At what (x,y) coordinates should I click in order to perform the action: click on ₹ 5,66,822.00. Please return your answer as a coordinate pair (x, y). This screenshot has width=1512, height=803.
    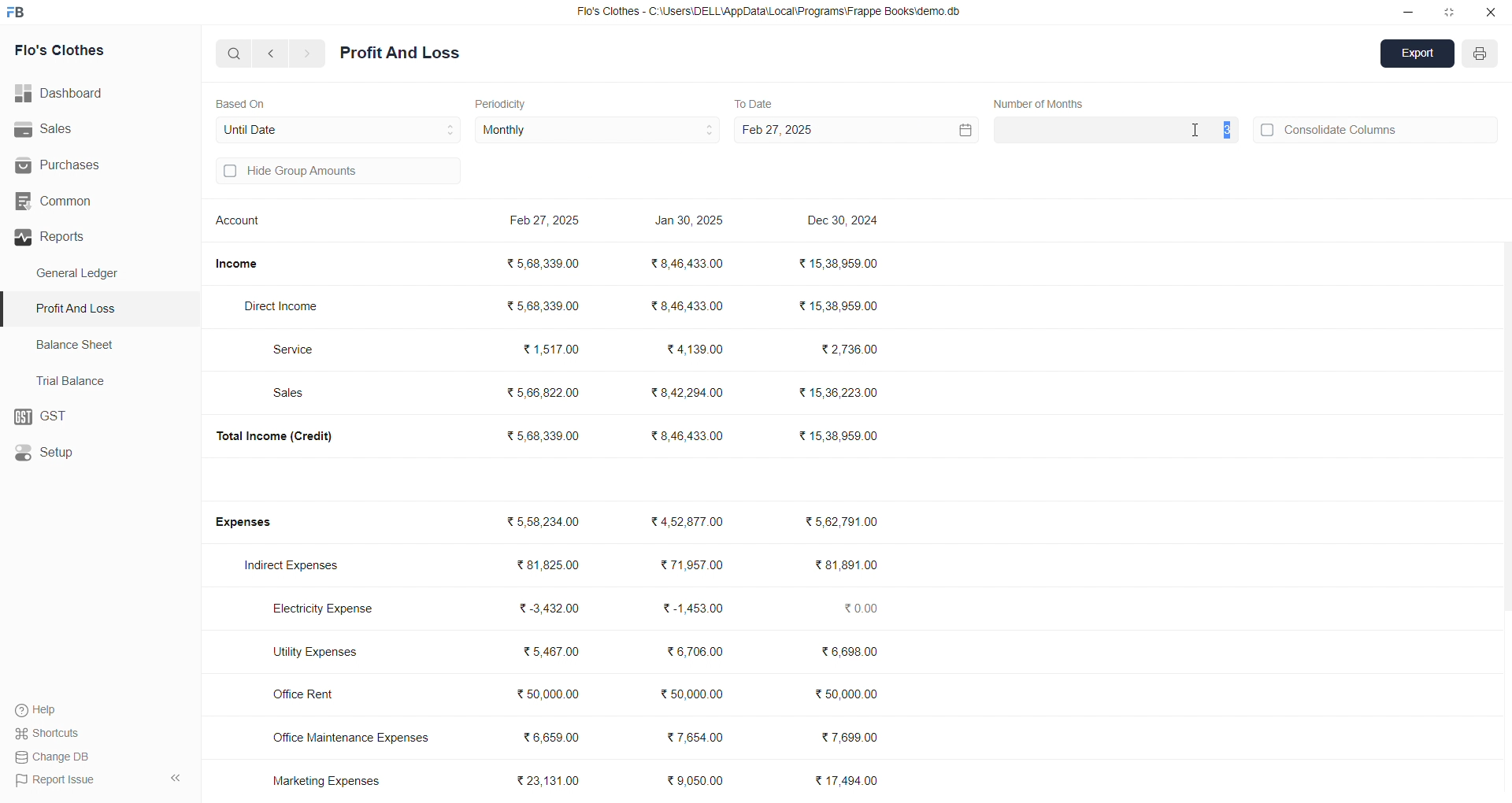
    Looking at the image, I should click on (545, 391).